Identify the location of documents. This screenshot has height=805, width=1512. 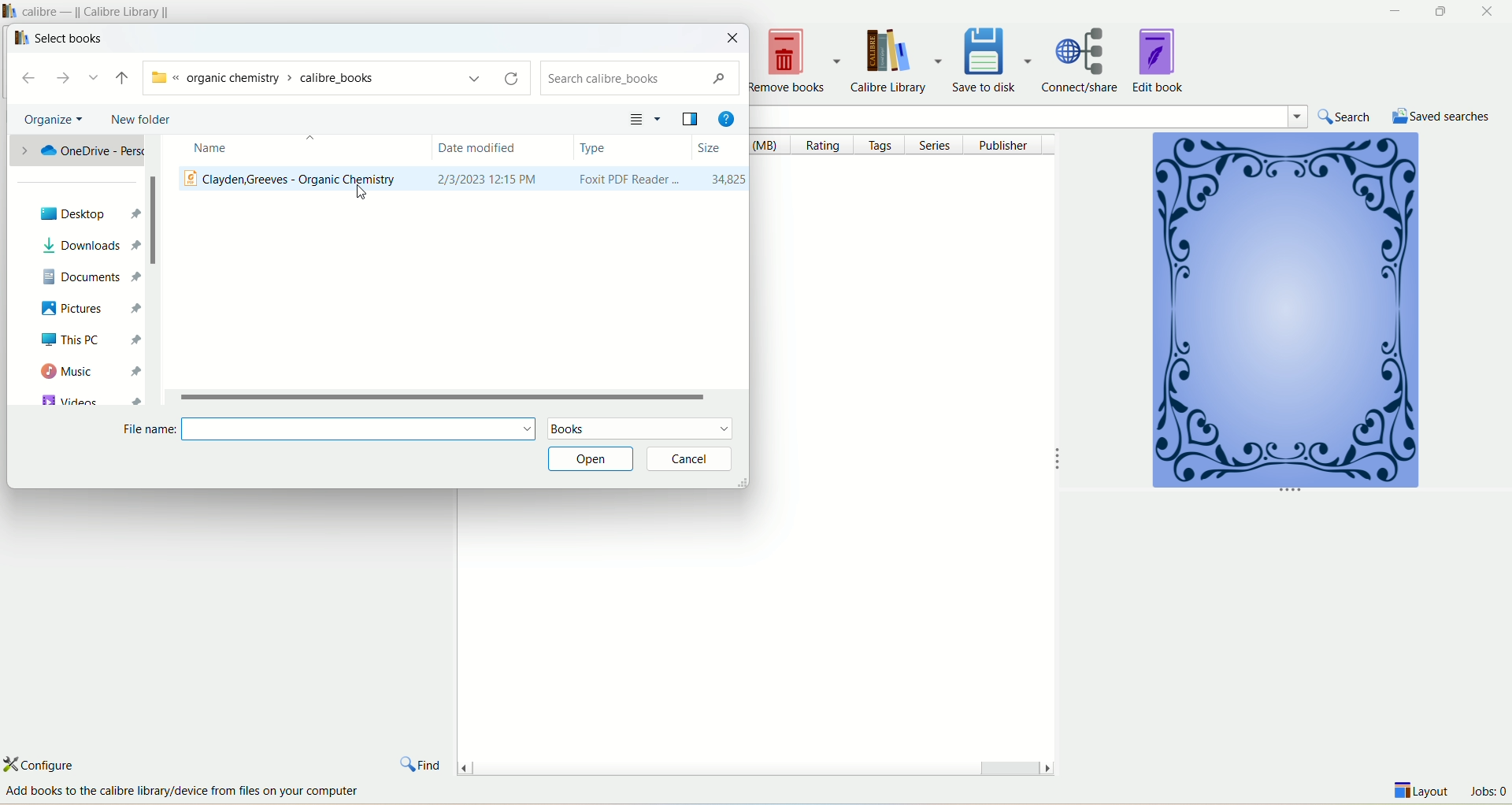
(89, 274).